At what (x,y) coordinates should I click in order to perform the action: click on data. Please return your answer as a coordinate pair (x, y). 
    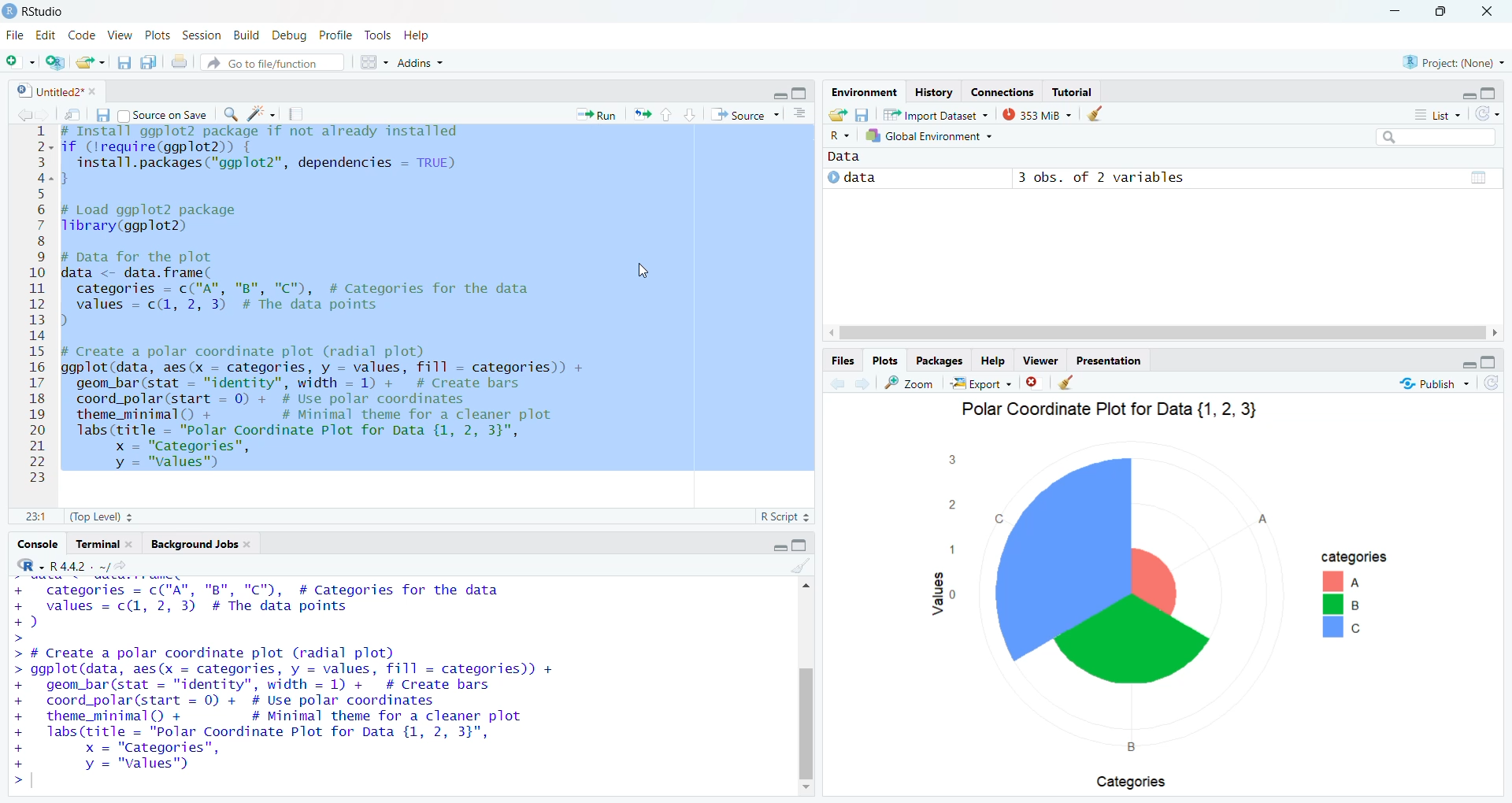
    Looking at the image, I should click on (843, 157).